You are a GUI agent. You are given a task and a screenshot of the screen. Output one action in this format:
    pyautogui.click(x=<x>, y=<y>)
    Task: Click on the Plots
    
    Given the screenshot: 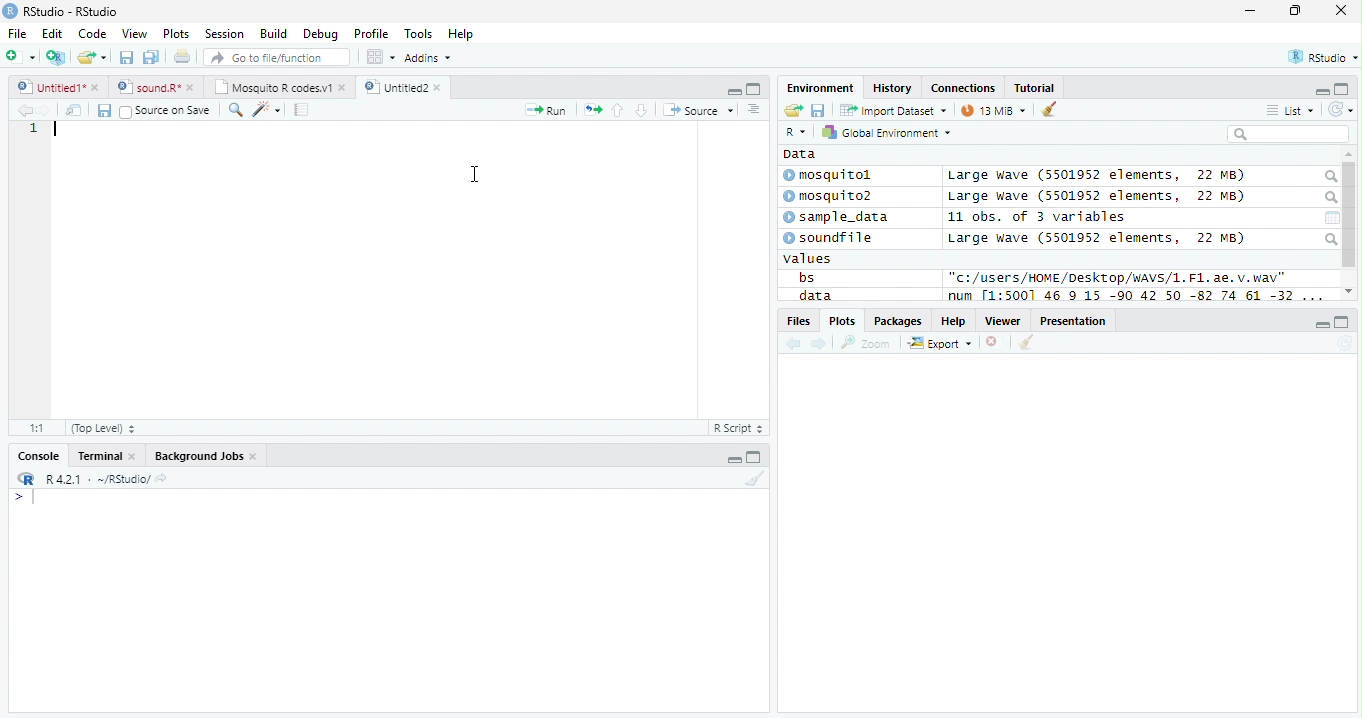 What is the action you would take?
    pyautogui.click(x=177, y=34)
    